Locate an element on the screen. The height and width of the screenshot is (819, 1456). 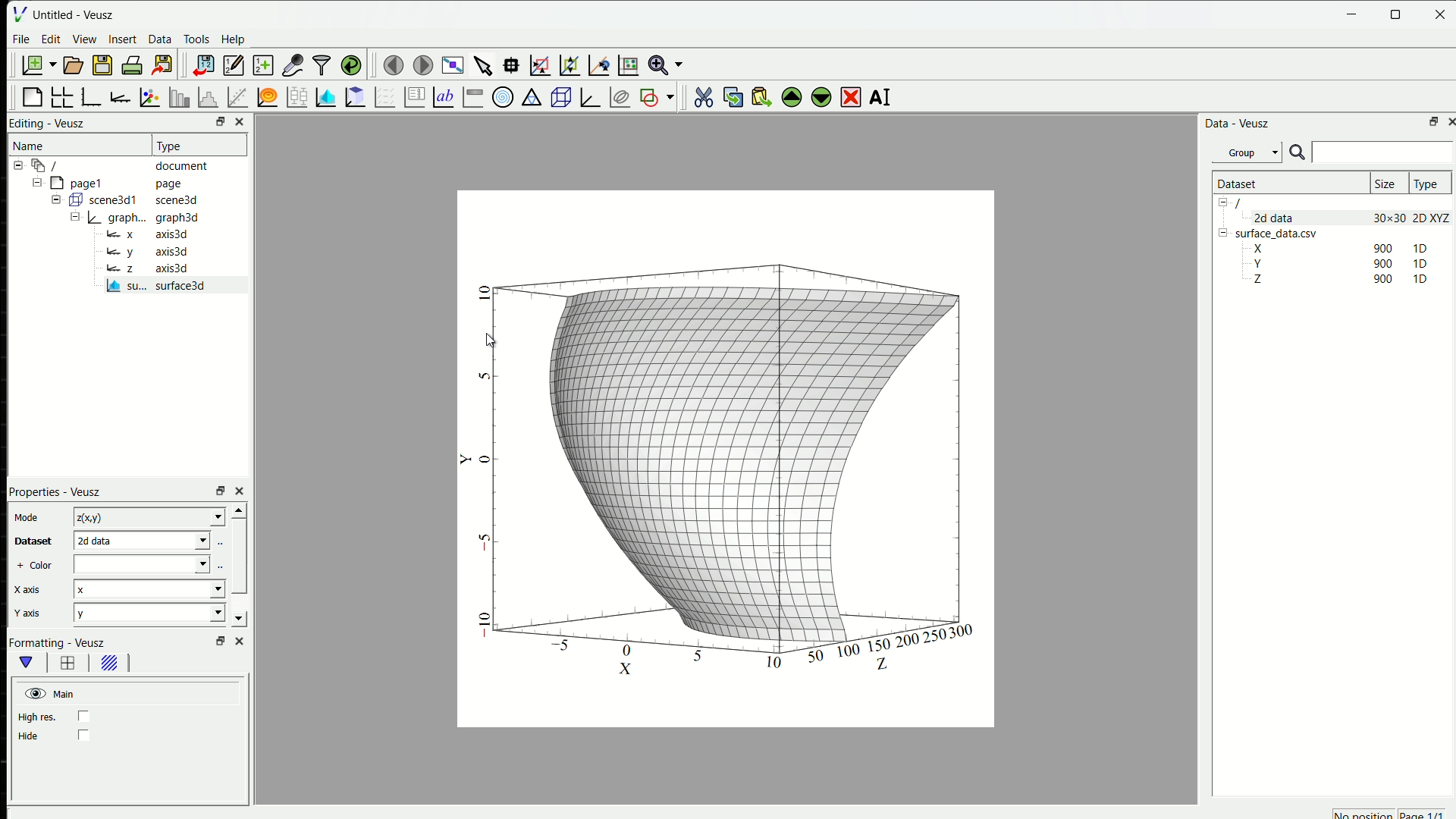
y is located at coordinates (139, 612).